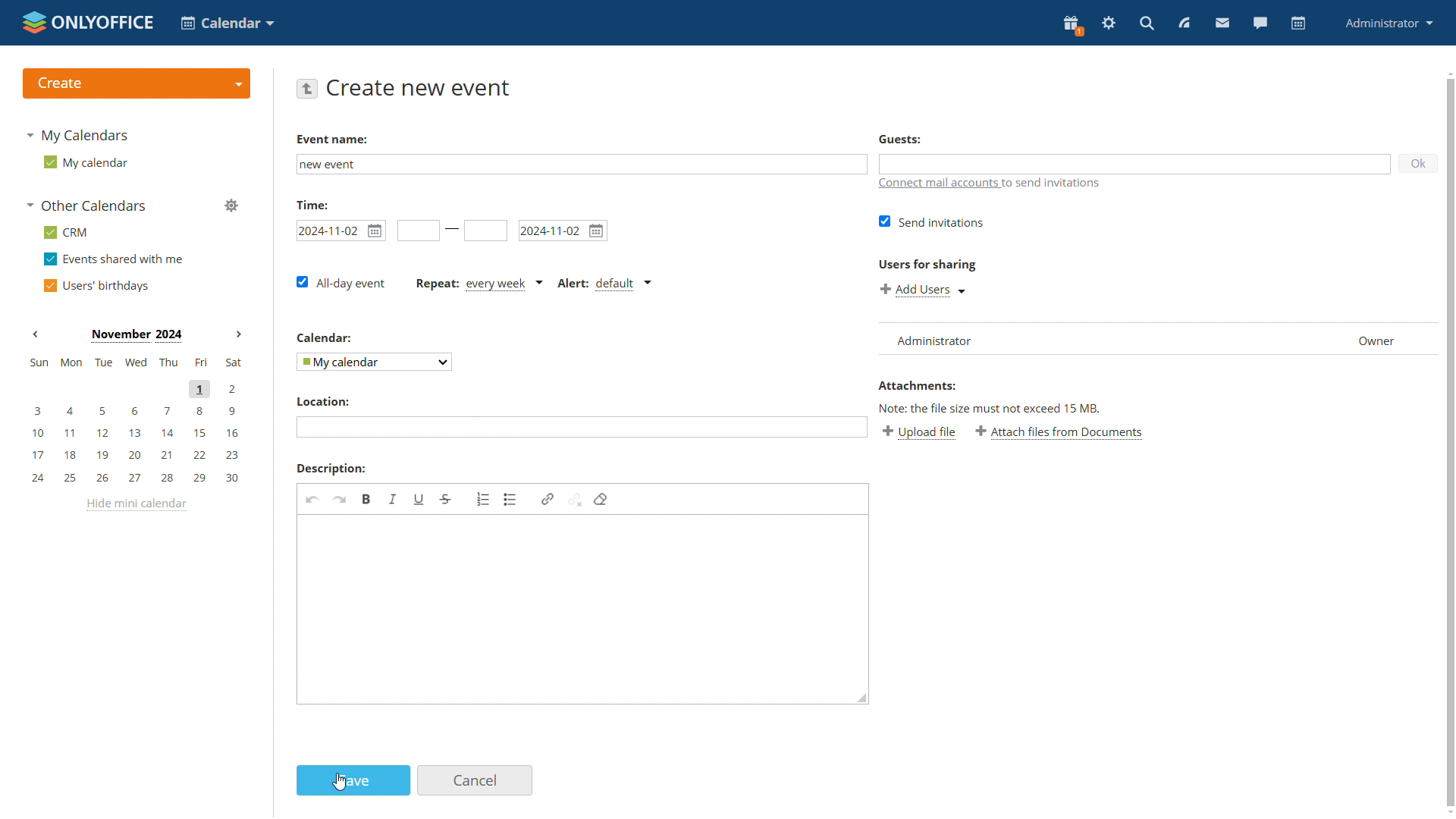 Image resolution: width=1456 pixels, height=819 pixels. Describe the element at coordinates (416, 230) in the screenshot. I see `event start time` at that location.